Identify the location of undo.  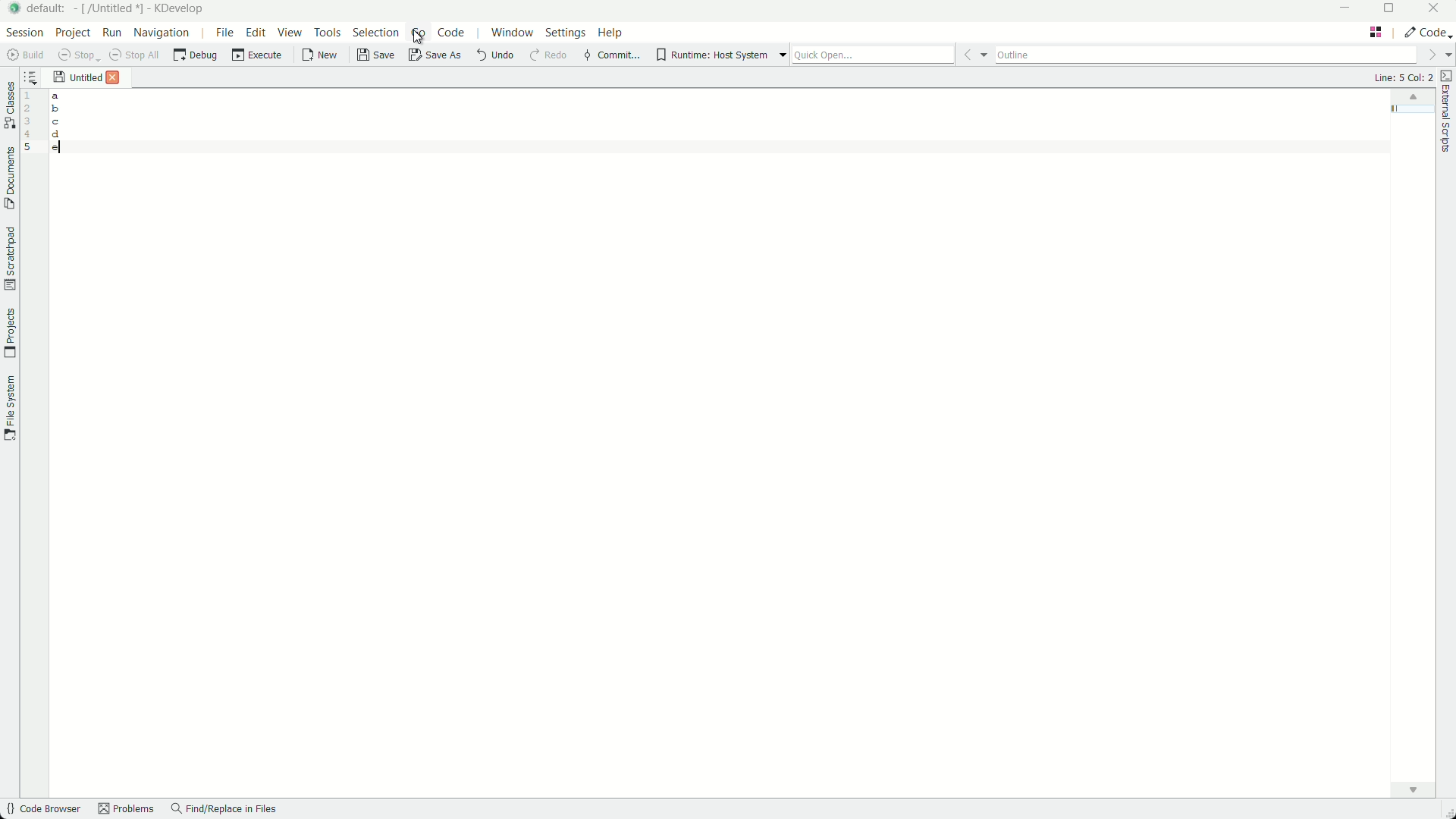
(494, 58).